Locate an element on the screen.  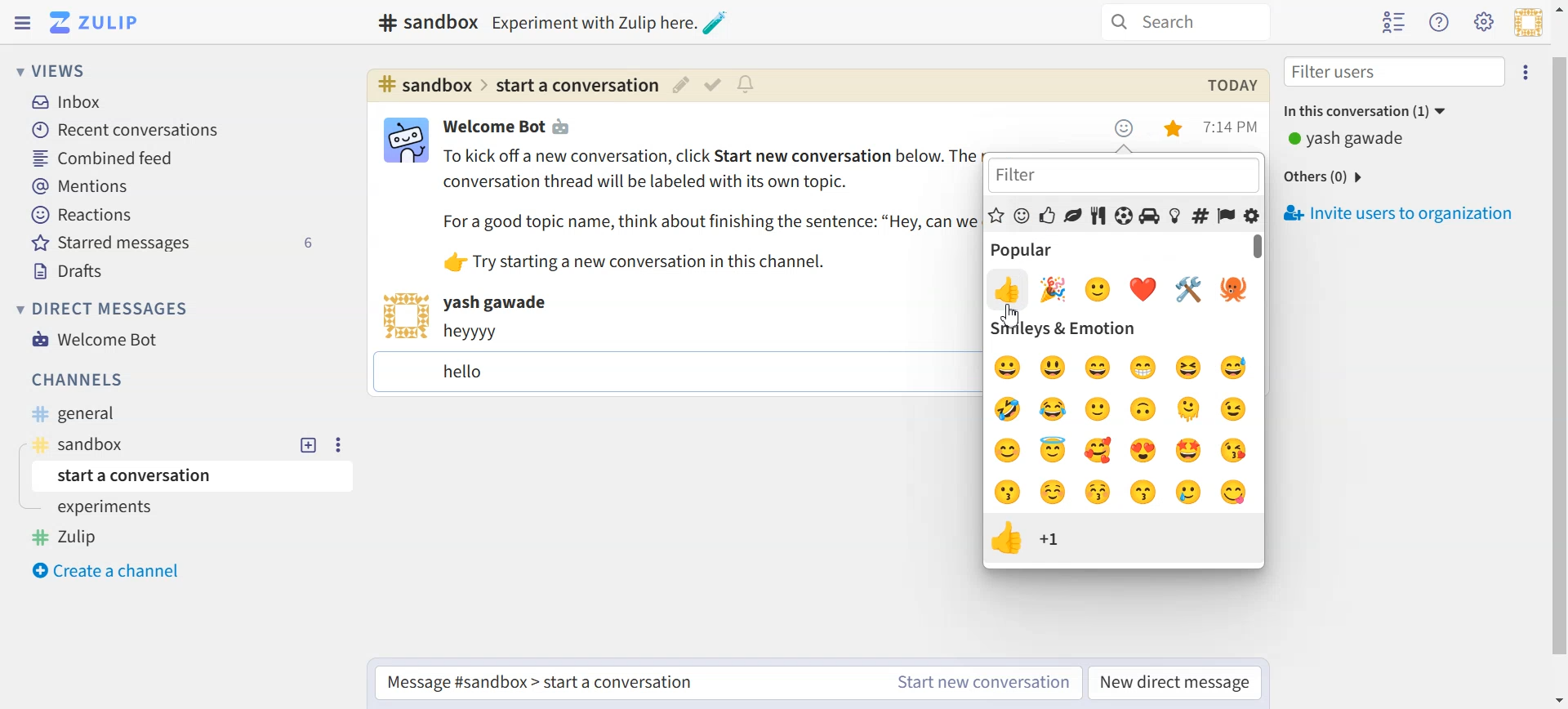
New topic is located at coordinates (310, 445).